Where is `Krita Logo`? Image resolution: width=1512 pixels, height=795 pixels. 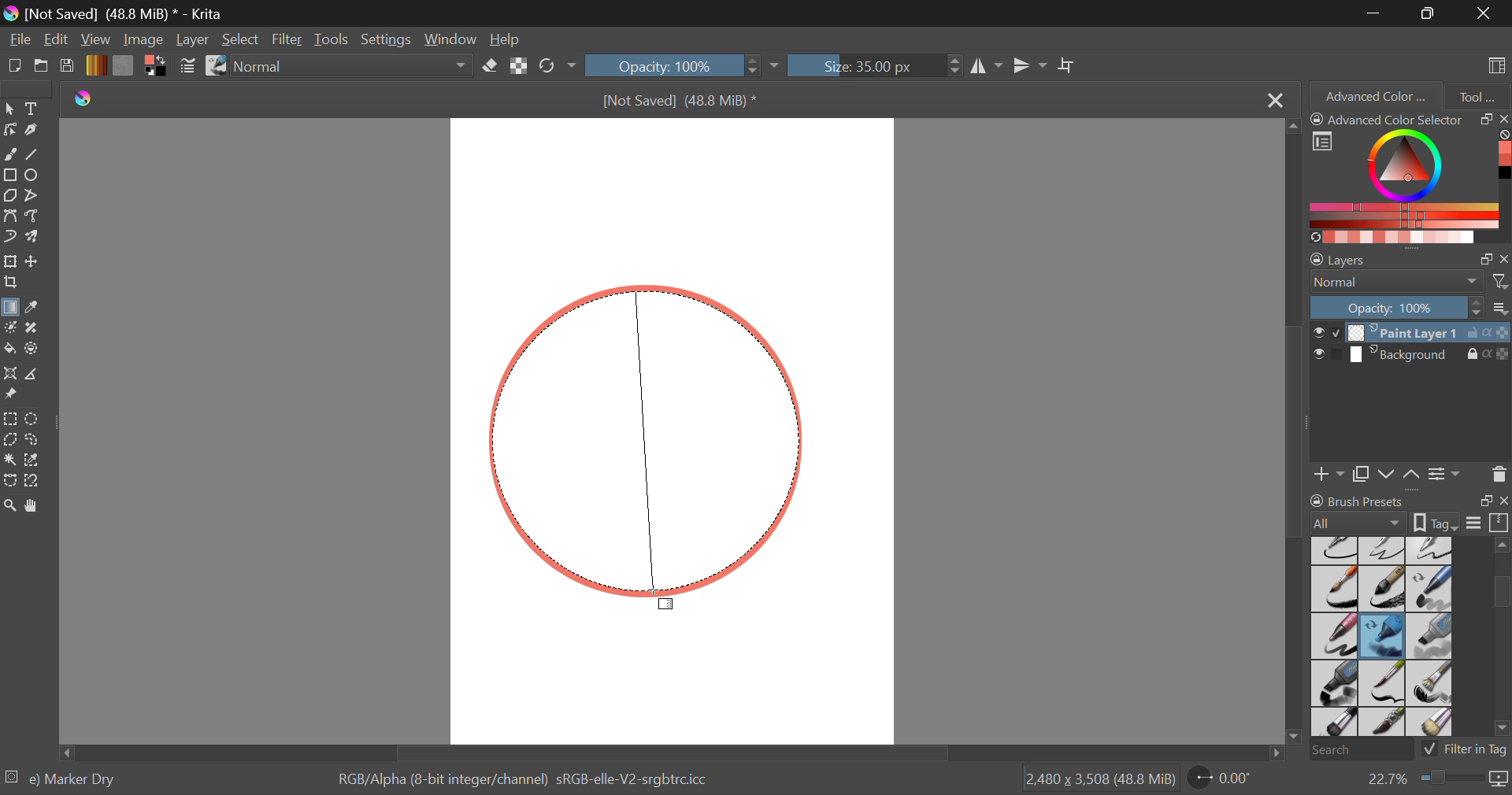 Krita Logo is located at coordinates (82, 99).